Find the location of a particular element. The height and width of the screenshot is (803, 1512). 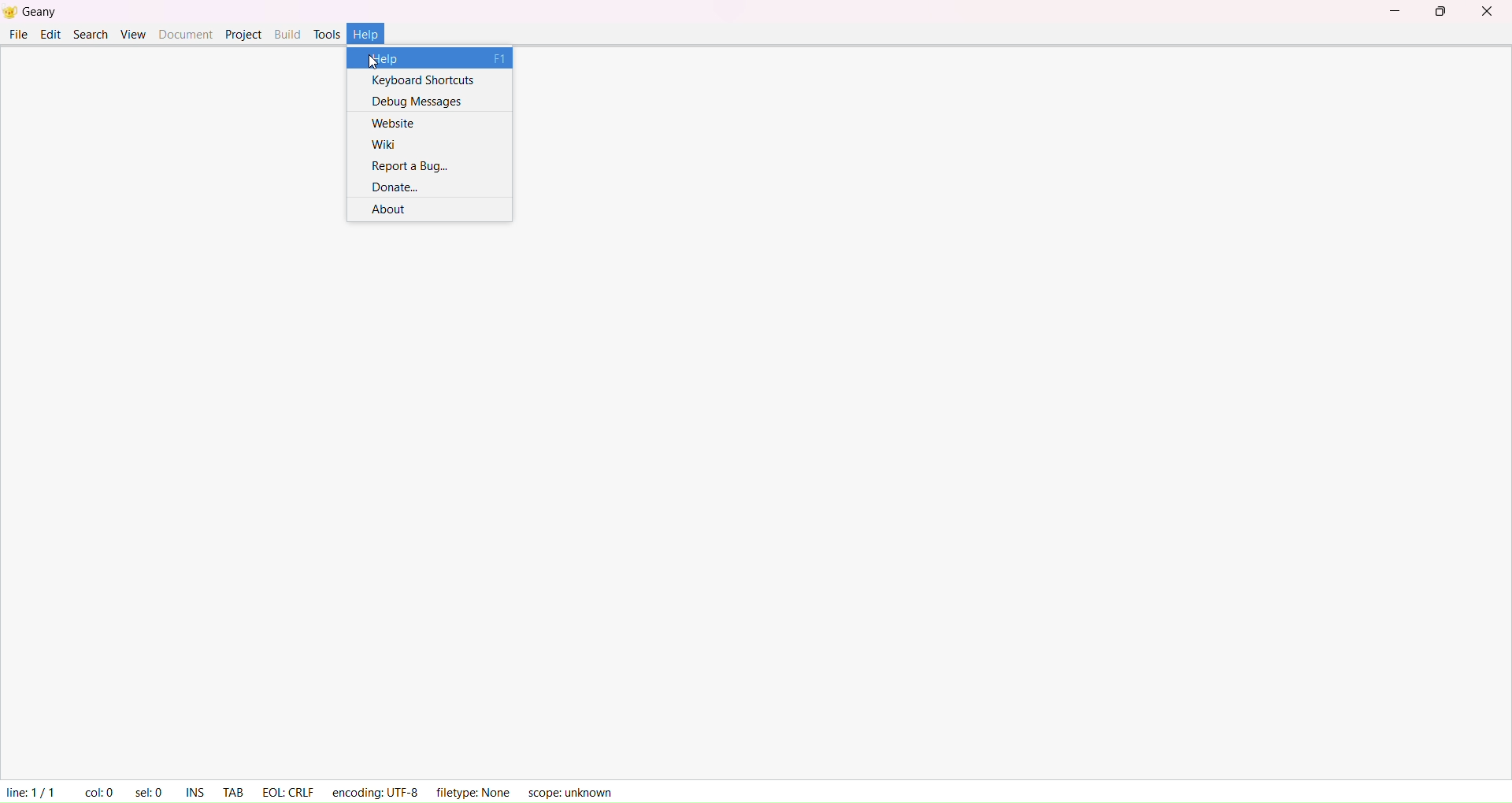

search is located at coordinates (91, 33).